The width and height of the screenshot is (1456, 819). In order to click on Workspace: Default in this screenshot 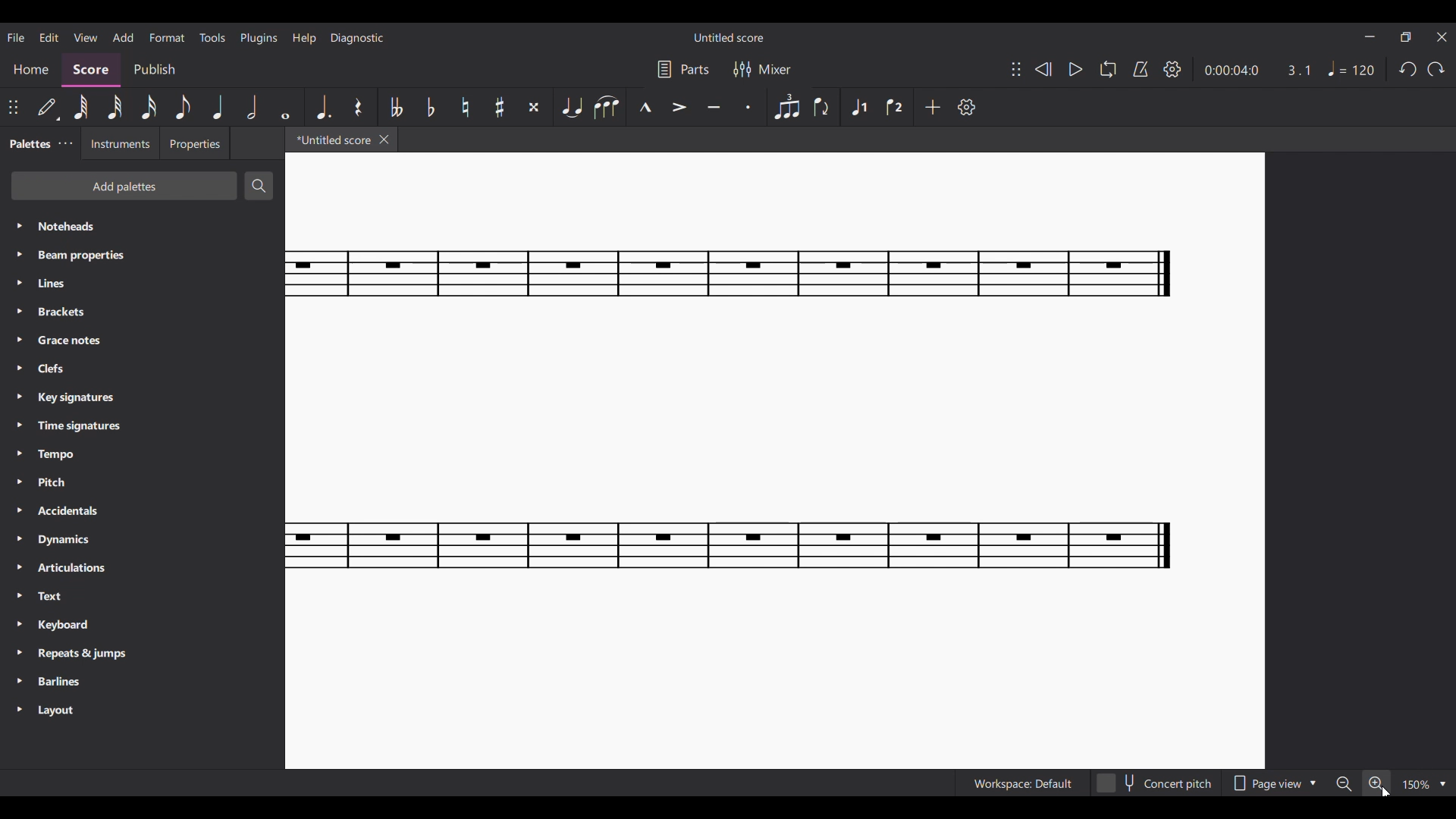, I will do `click(1023, 784)`.